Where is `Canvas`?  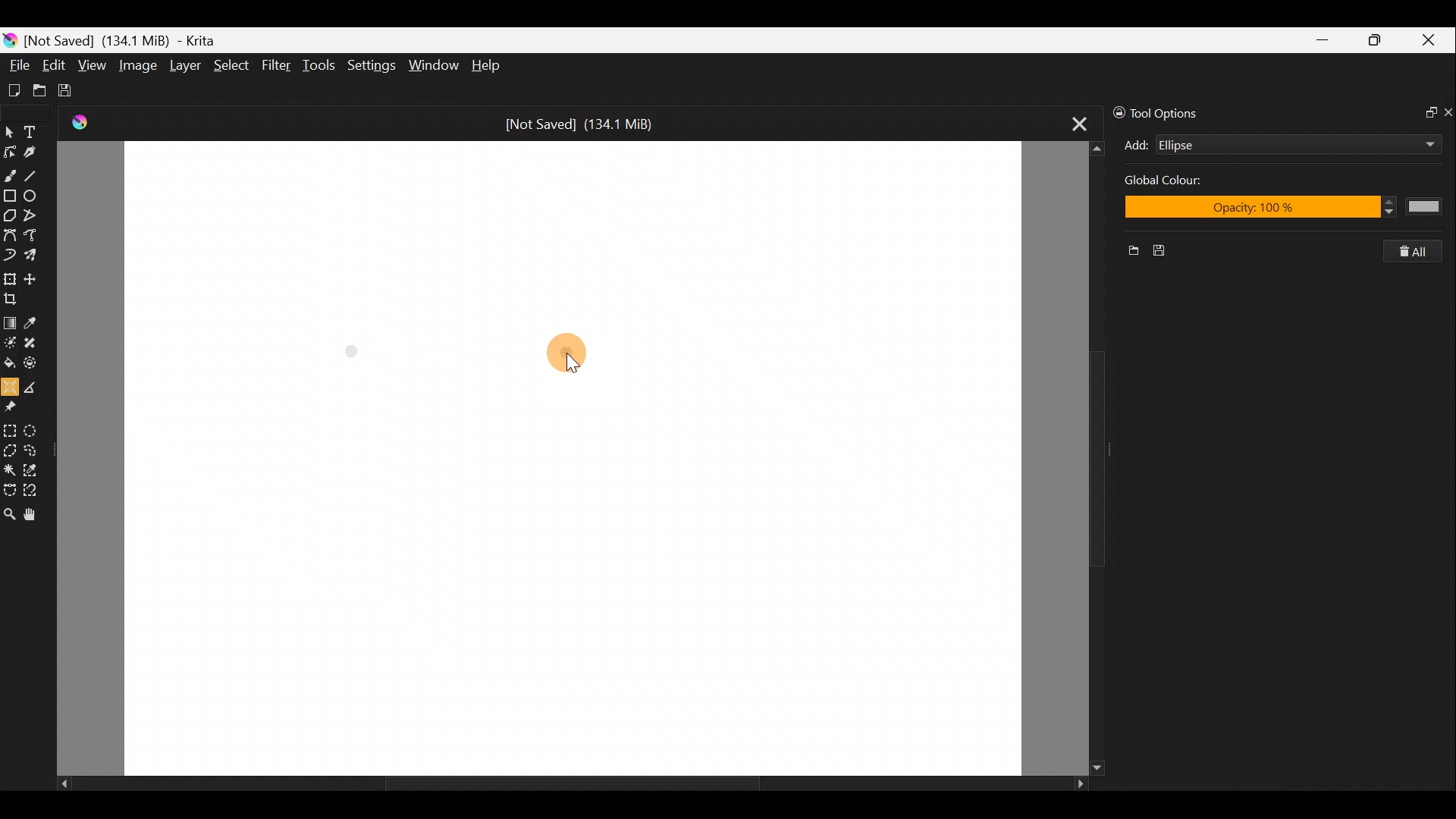 Canvas is located at coordinates (573, 457).